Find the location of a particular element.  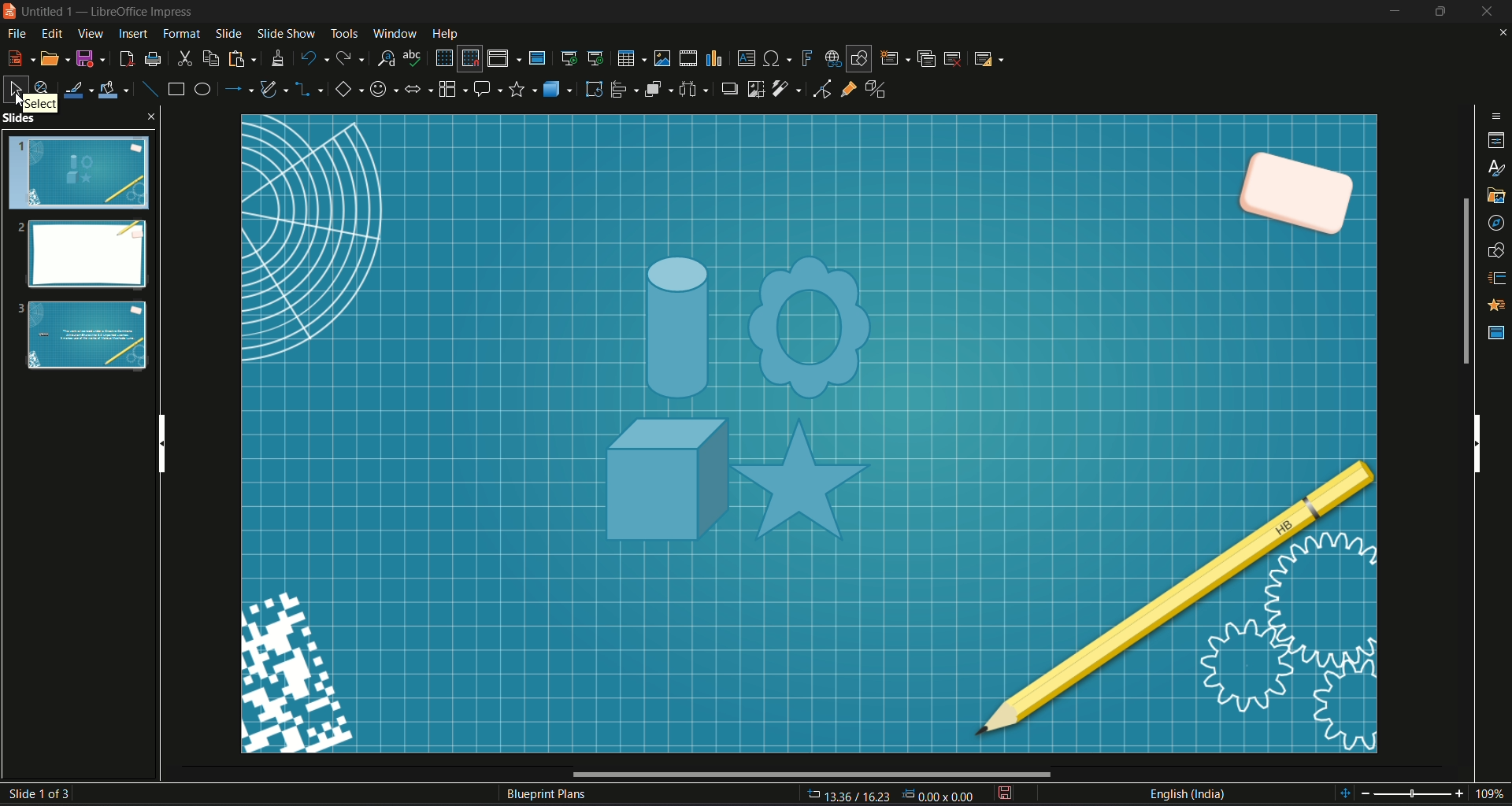

shadow is located at coordinates (727, 87).